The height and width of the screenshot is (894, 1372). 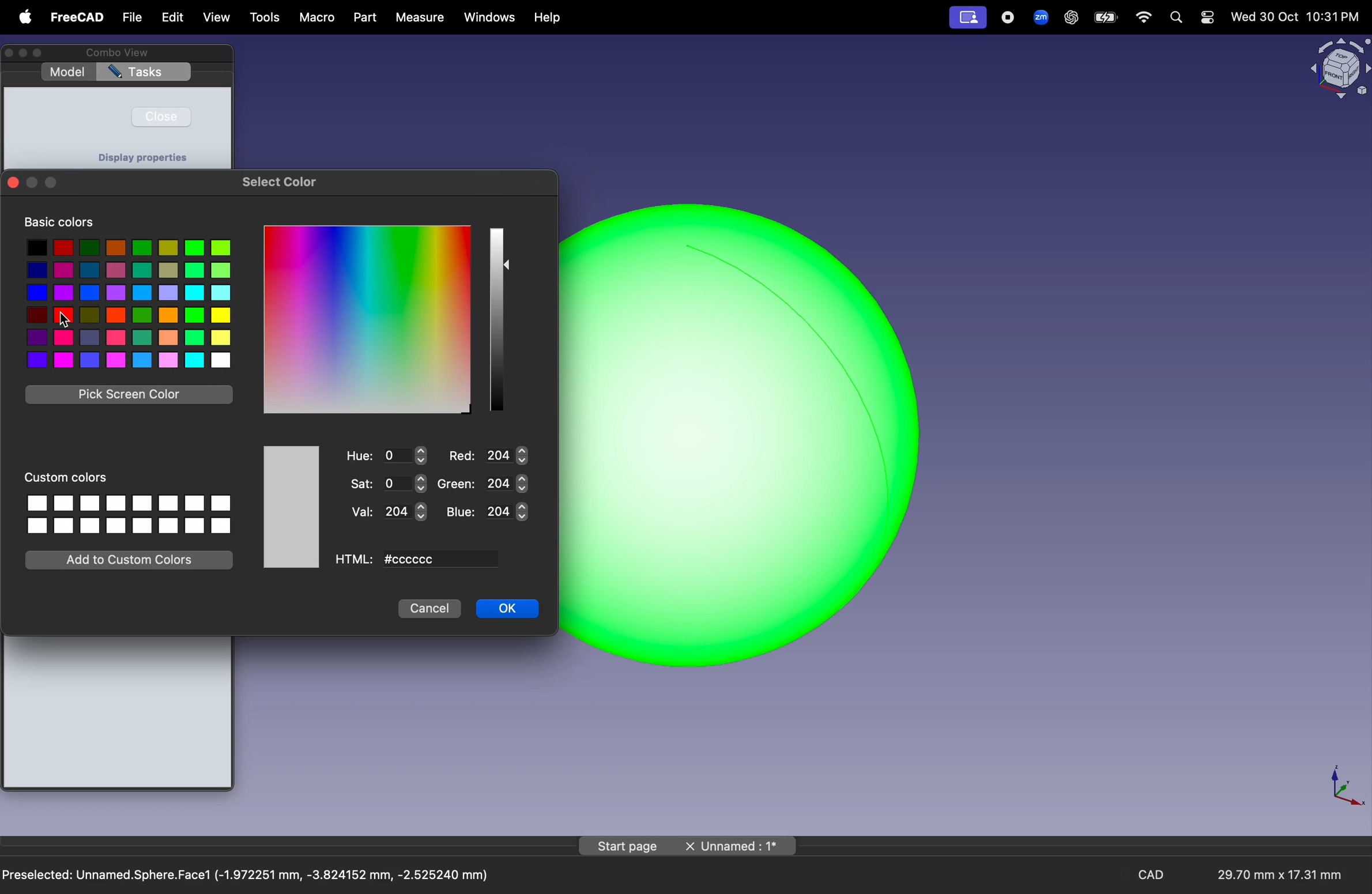 What do you see at coordinates (115, 52) in the screenshot?
I see `Combo view` at bounding box center [115, 52].